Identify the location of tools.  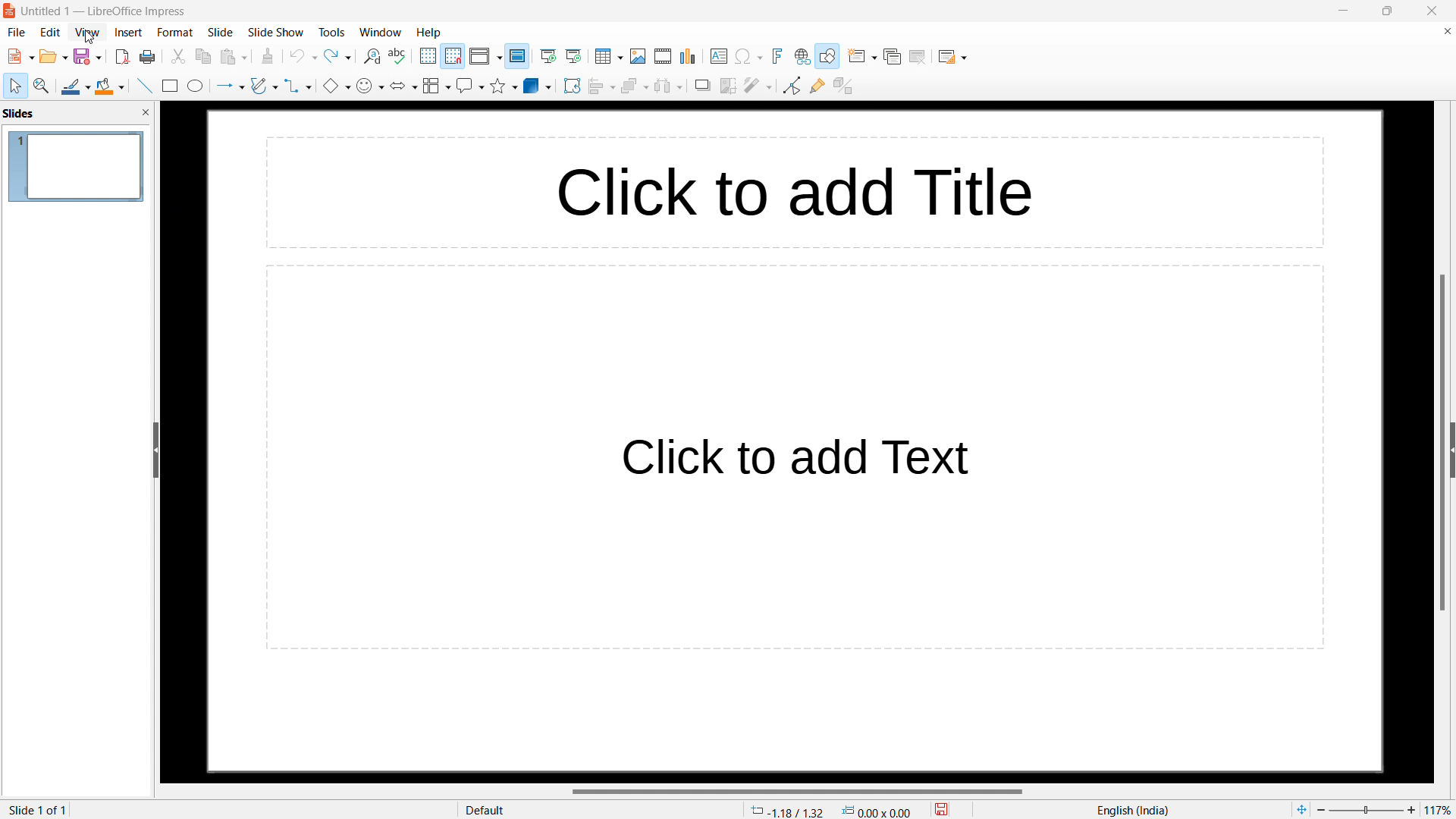
(332, 33).